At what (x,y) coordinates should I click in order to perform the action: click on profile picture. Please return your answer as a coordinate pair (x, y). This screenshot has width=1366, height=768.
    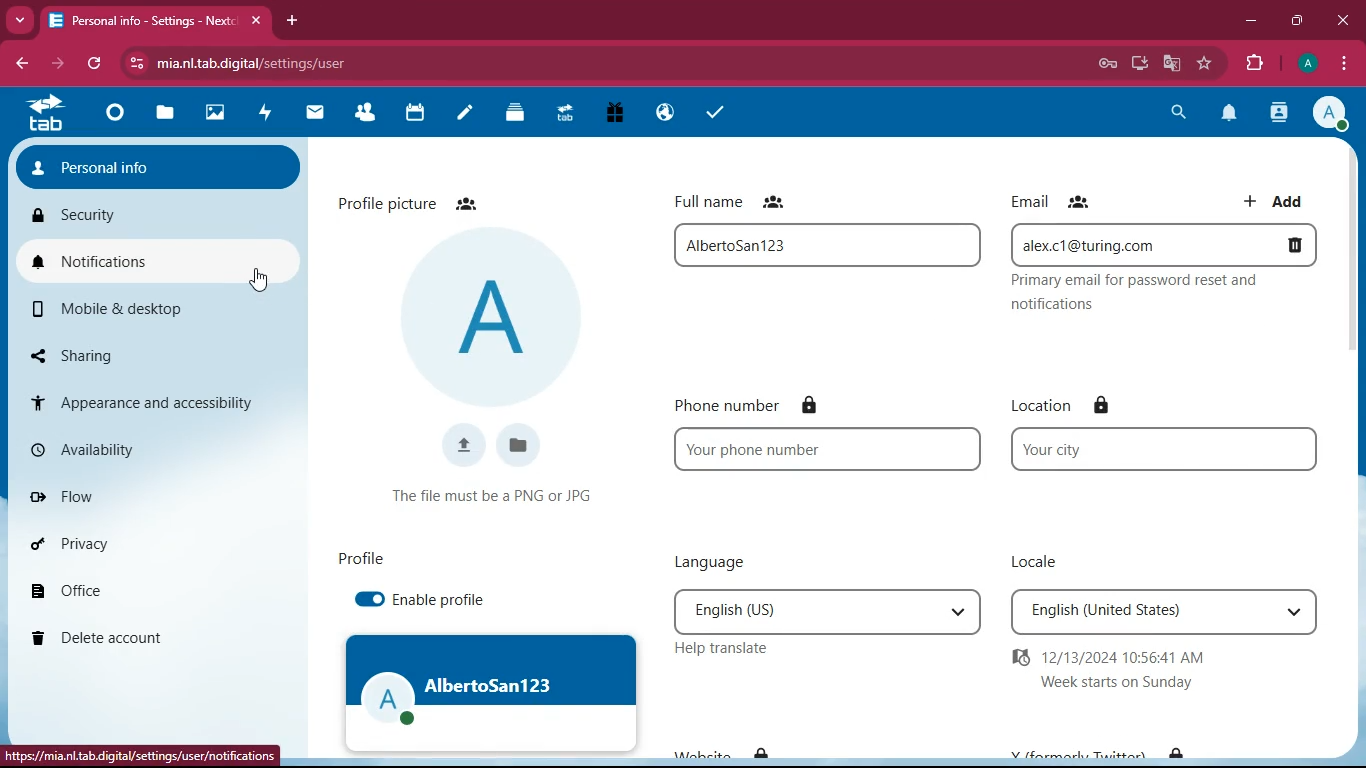
    Looking at the image, I should click on (492, 314).